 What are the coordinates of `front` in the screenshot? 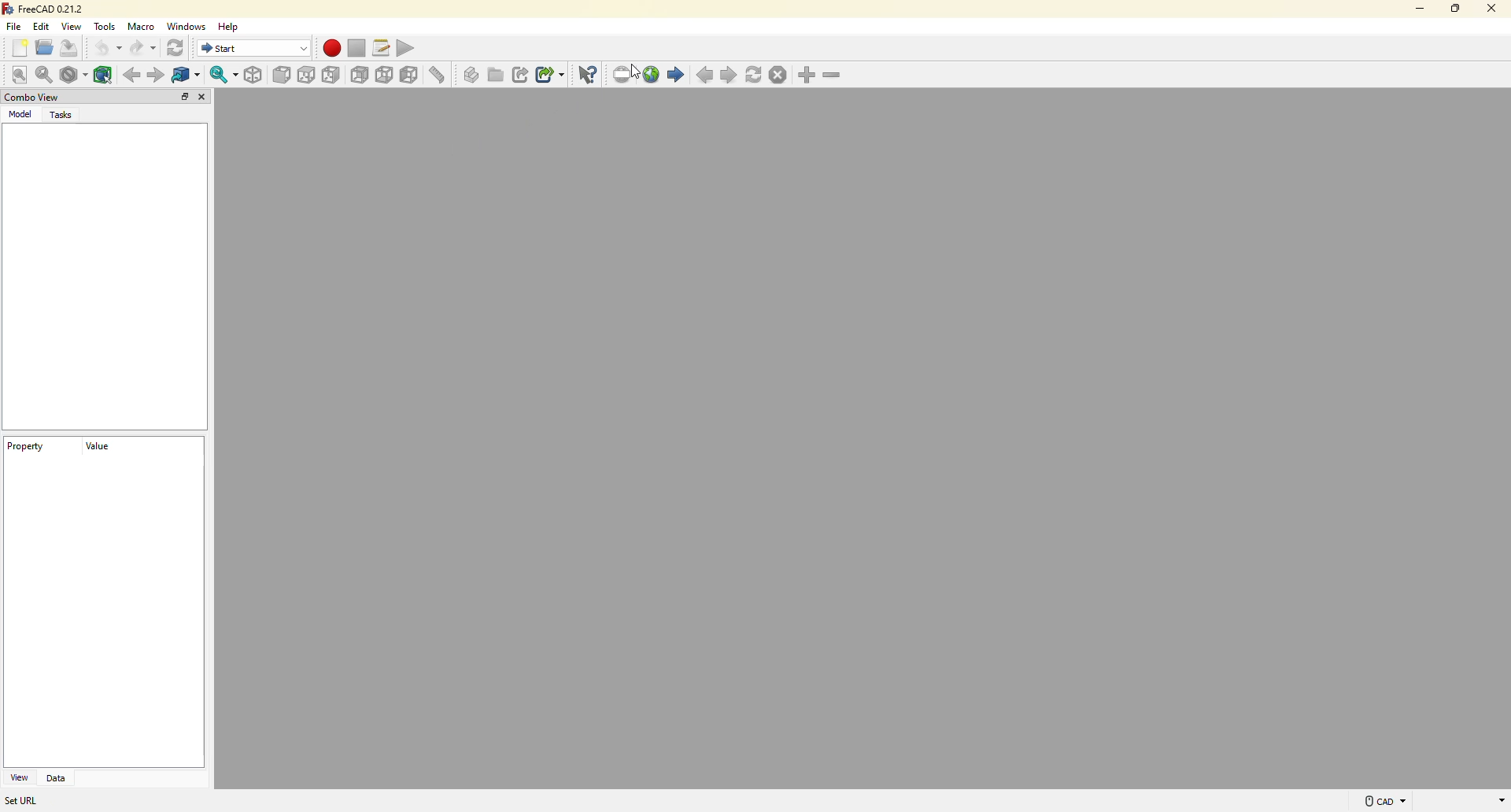 It's located at (283, 76).